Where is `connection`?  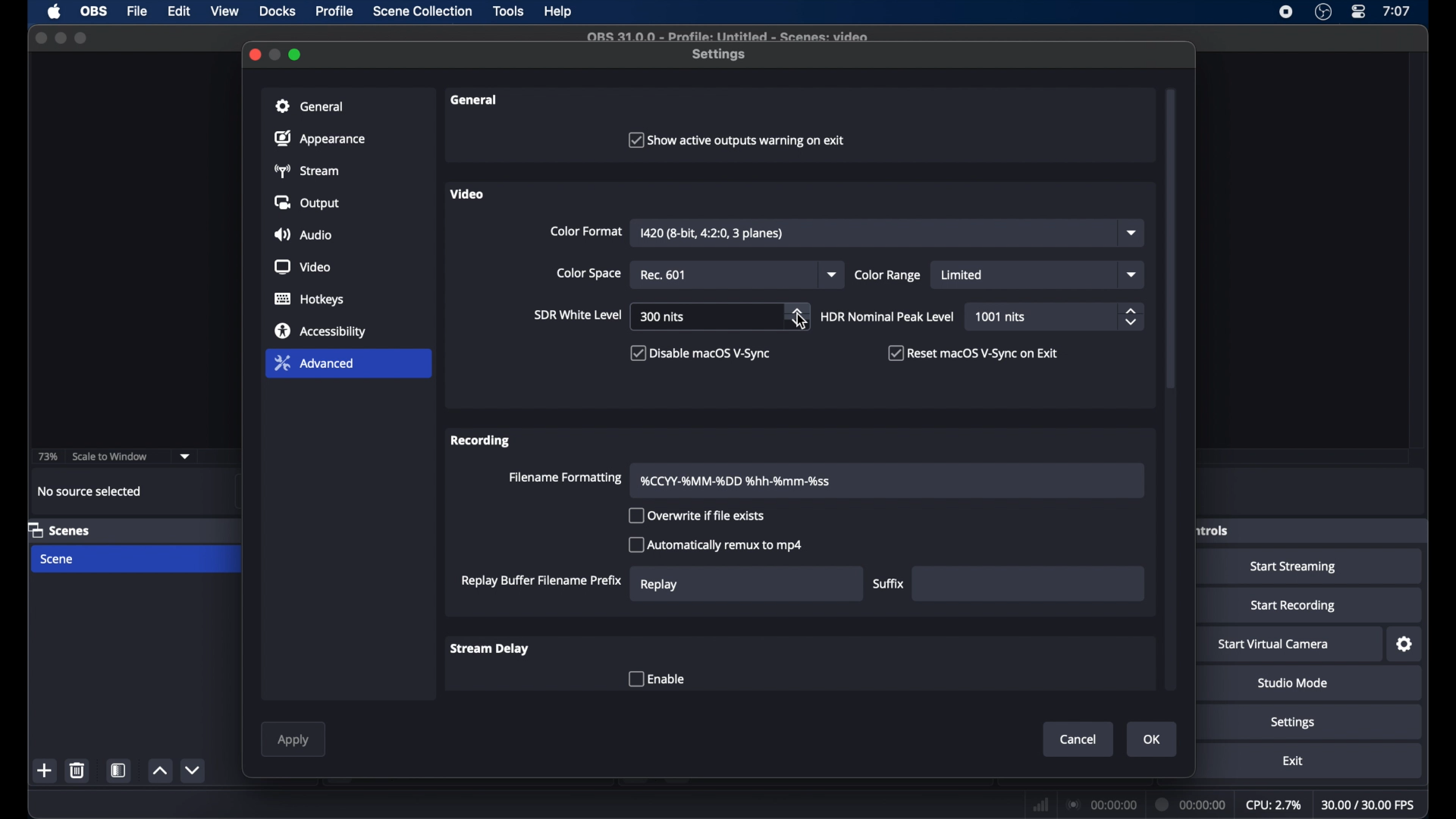 connection is located at coordinates (1100, 805).